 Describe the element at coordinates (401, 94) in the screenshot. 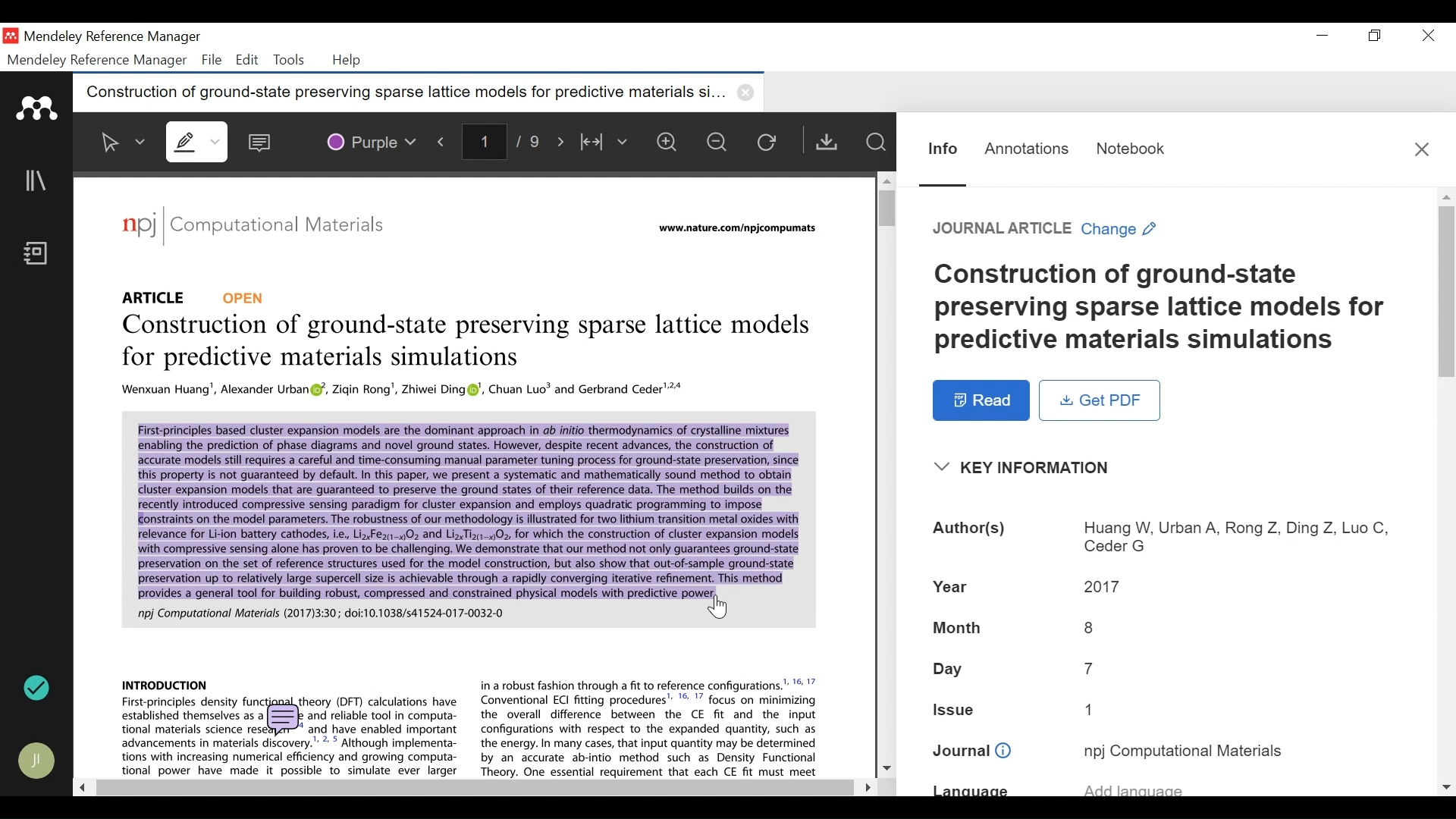

I see `Current tab` at that location.